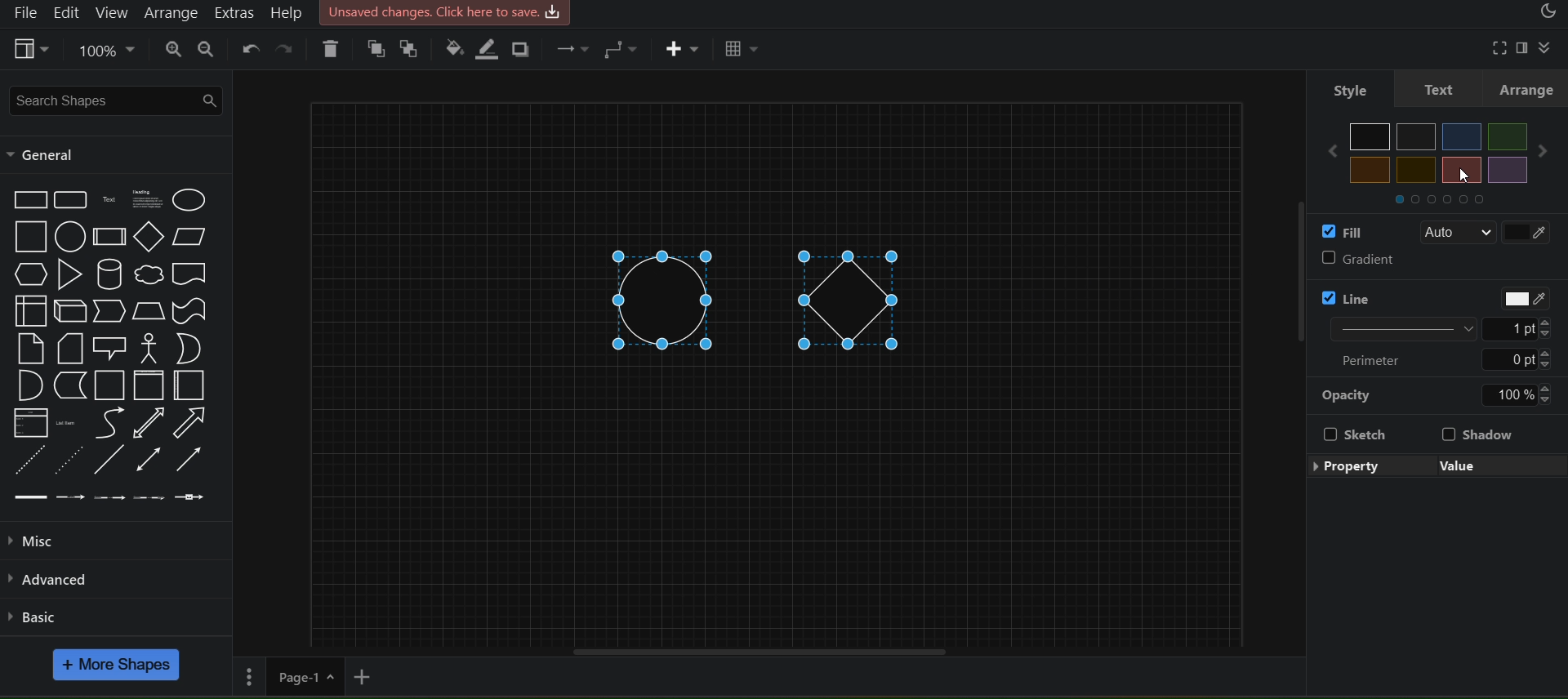 The width and height of the screenshot is (1568, 699). Describe the element at coordinates (70, 12) in the screenshot. I see `edit` at that location.